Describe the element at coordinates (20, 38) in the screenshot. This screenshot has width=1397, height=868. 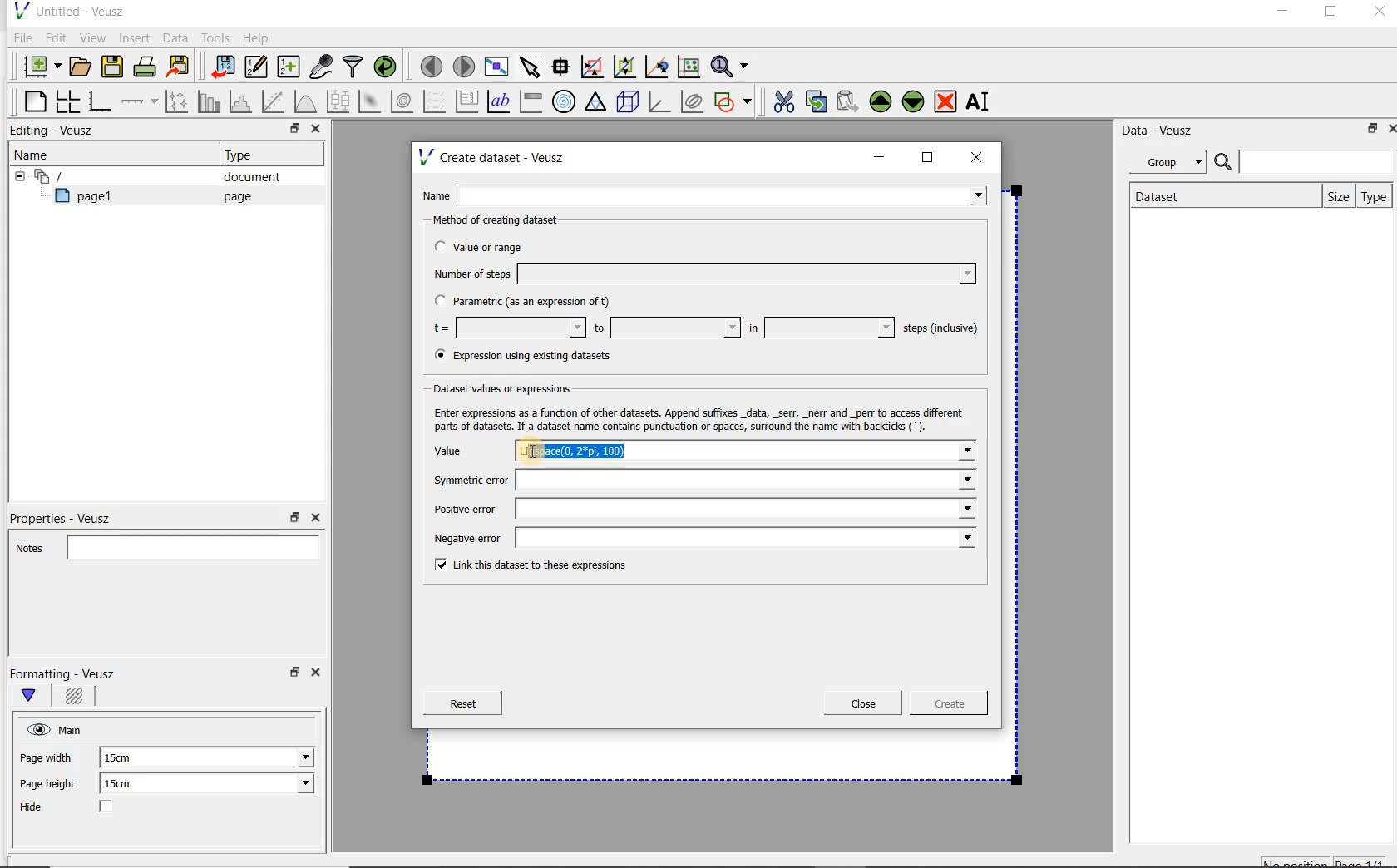
I see `File` at that location.